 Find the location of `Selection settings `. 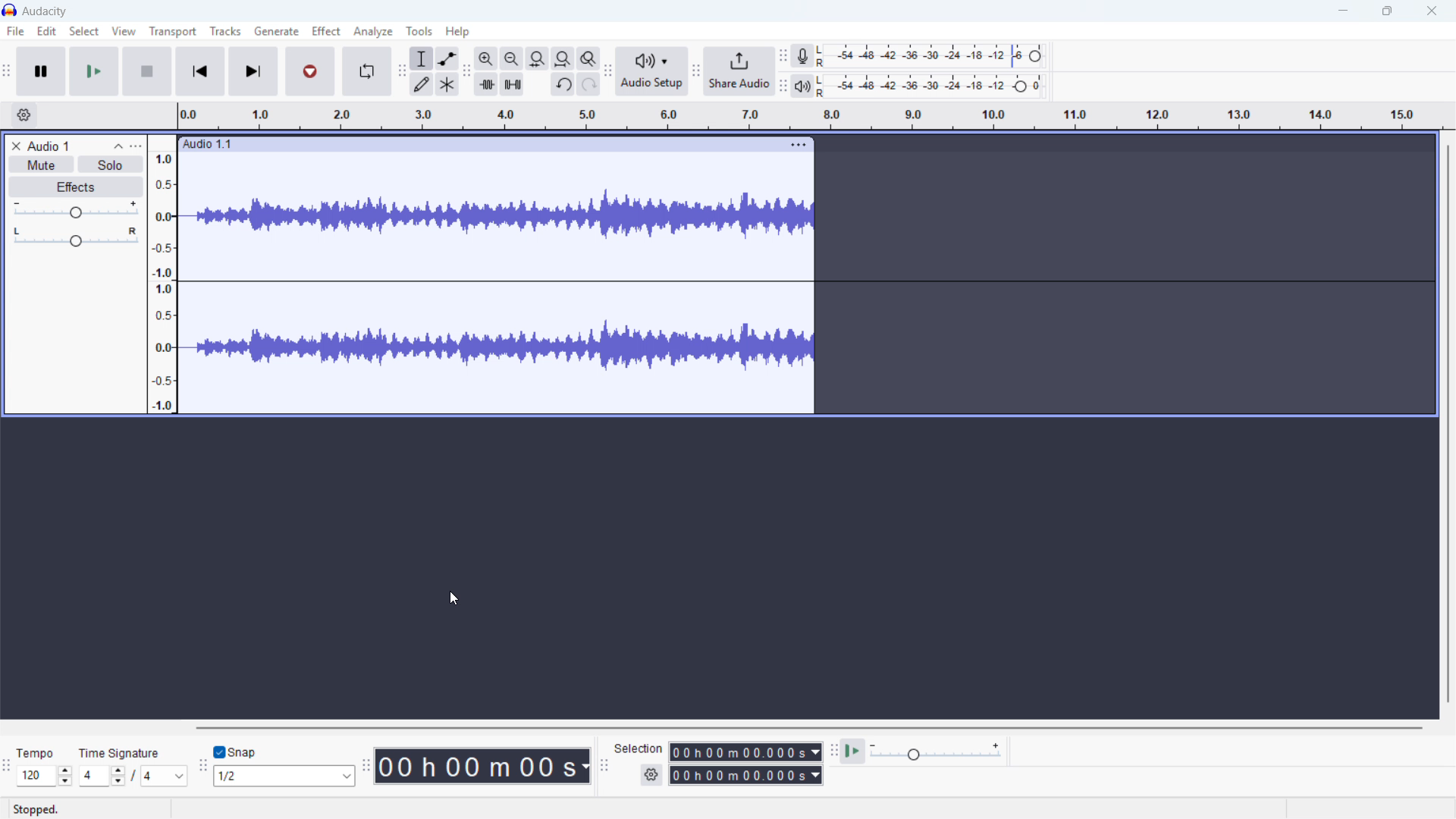

Selection settings  is located at coordinates (651, 774).